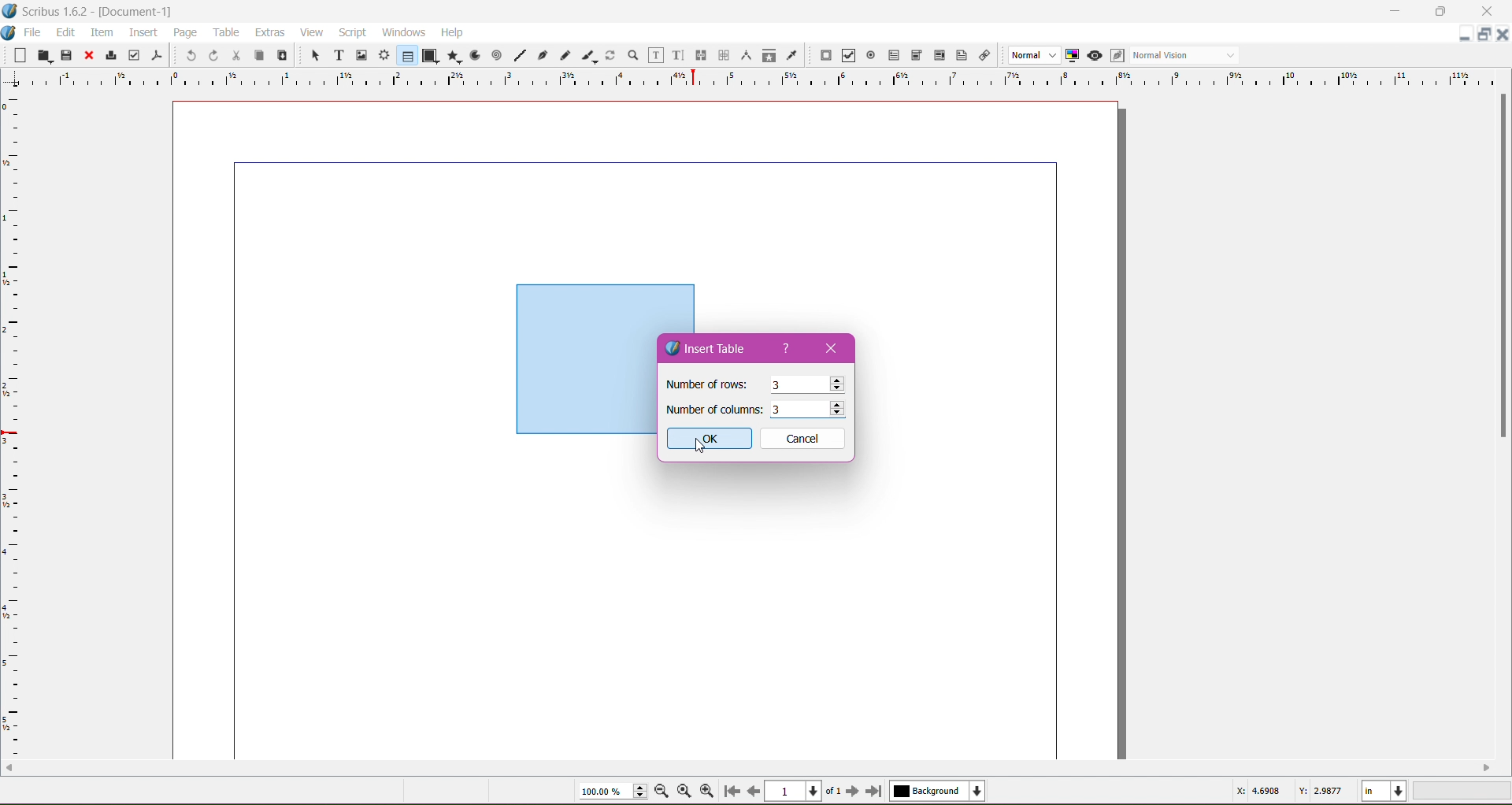 The height and width of the screenshot is (805, 1512). Describe the element at coordinates (854, 790) in the screenshot. I see `Next Page` at that location.